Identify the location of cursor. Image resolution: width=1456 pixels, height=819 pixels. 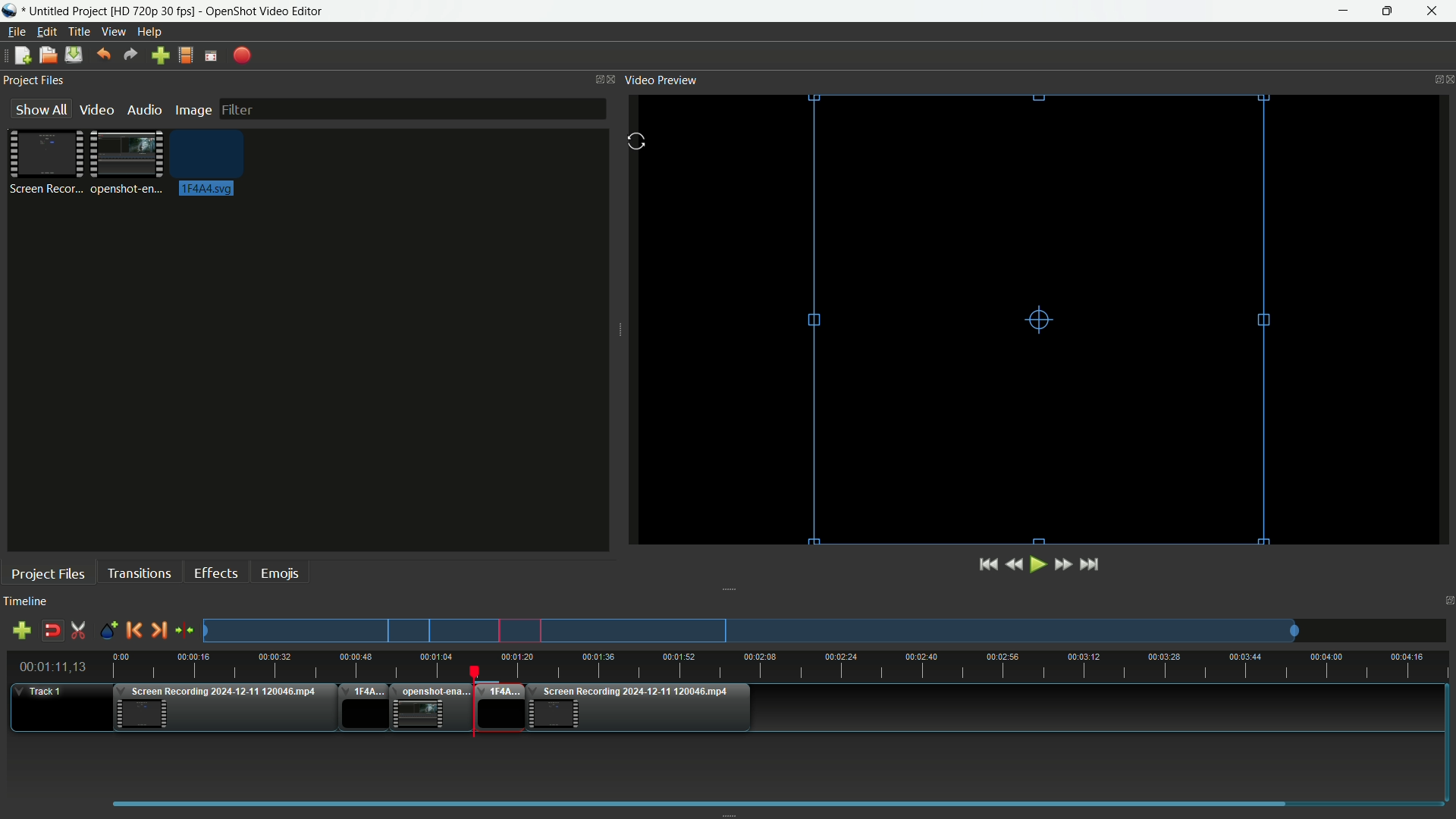
(639, 143).